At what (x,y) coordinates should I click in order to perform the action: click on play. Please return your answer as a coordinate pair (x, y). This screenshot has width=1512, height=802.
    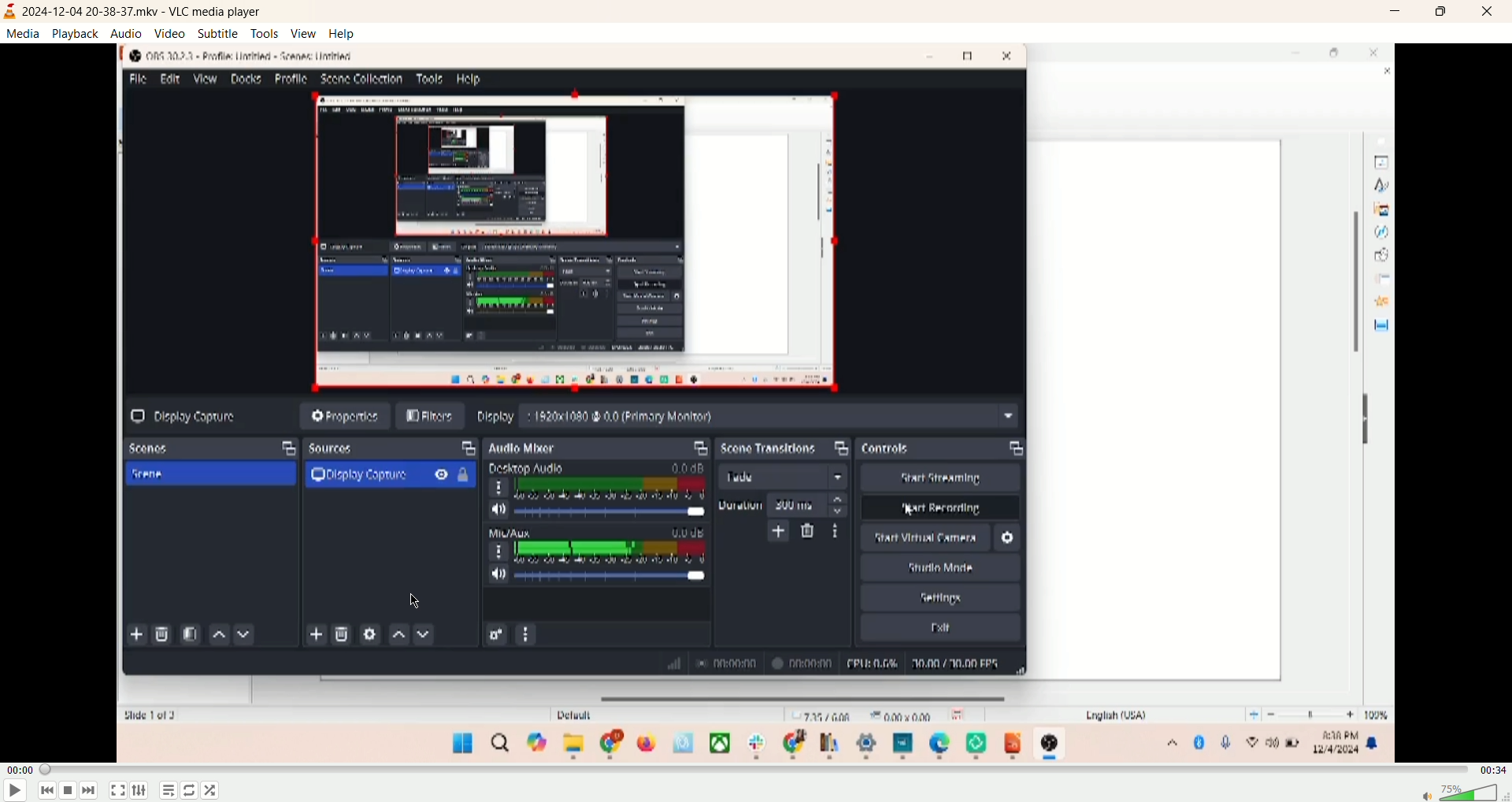
    Looking at the image, I should click on (14, 790).